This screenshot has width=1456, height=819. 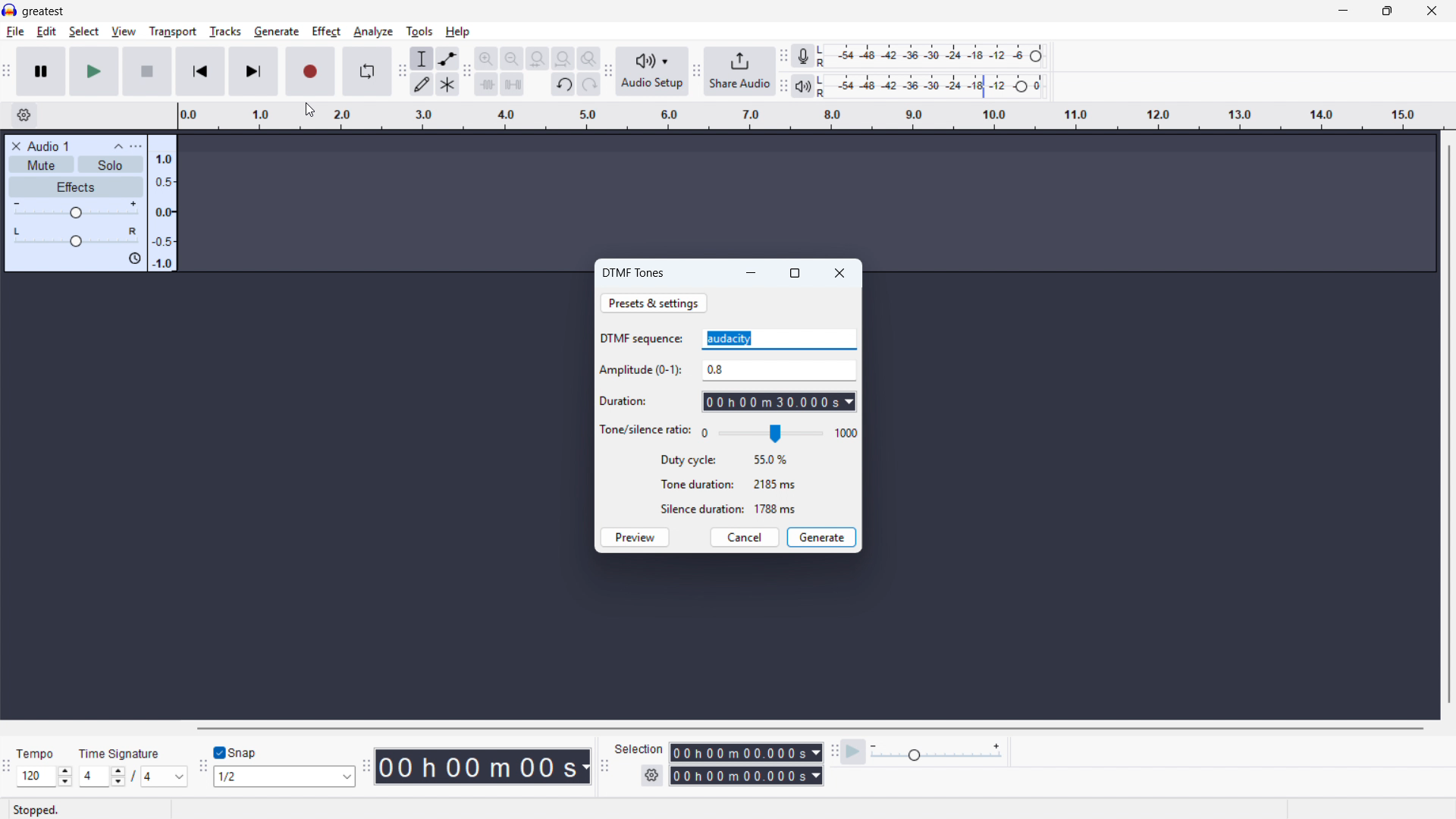 I want to click on share audio, so click(x=739, y=72).